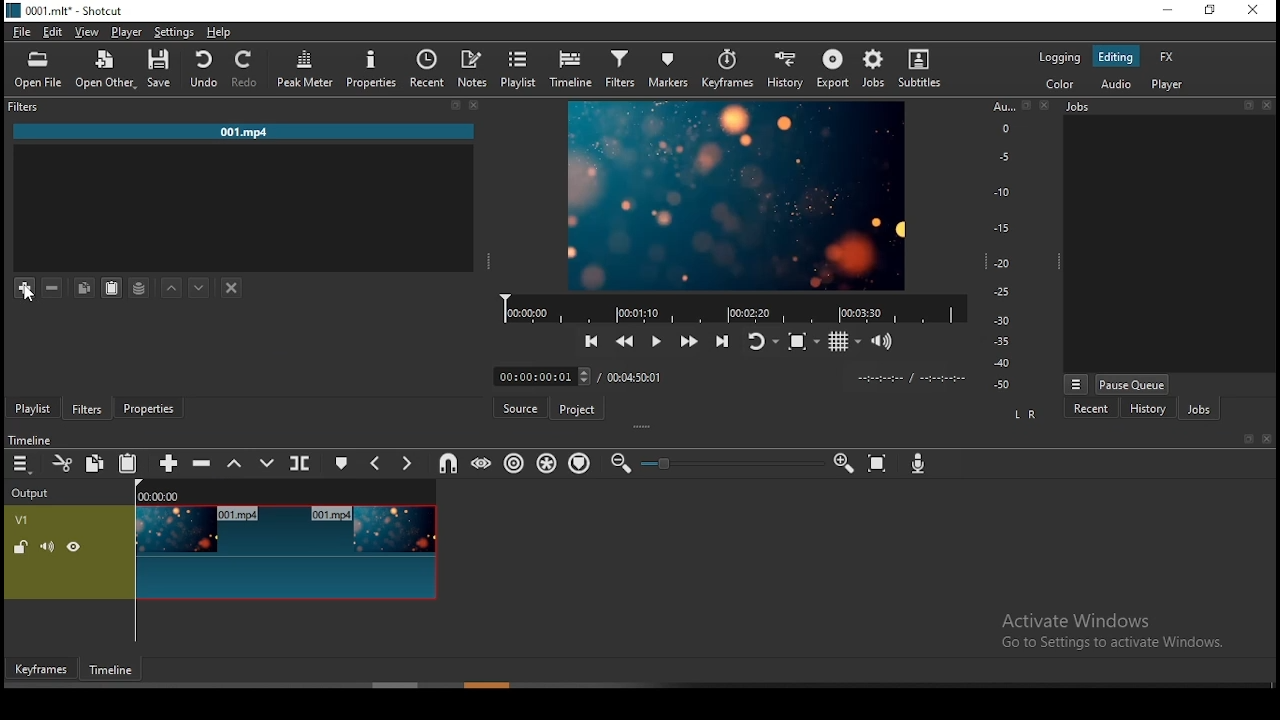 This screenshot has height=720, width=1280. I want to click on notes, so click(475, 68).